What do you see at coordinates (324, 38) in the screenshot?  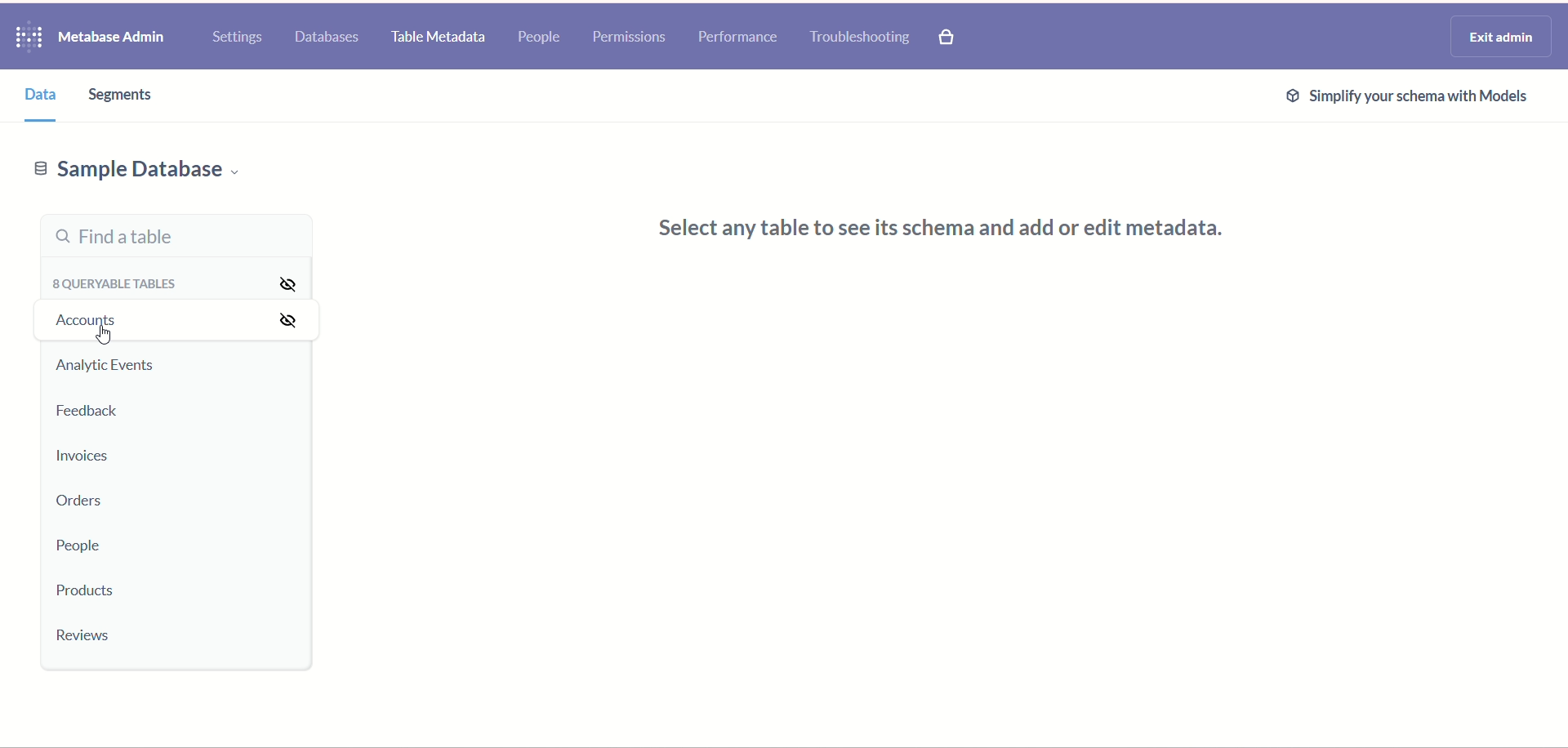 I see `databases` at bounding box center [324, 38].